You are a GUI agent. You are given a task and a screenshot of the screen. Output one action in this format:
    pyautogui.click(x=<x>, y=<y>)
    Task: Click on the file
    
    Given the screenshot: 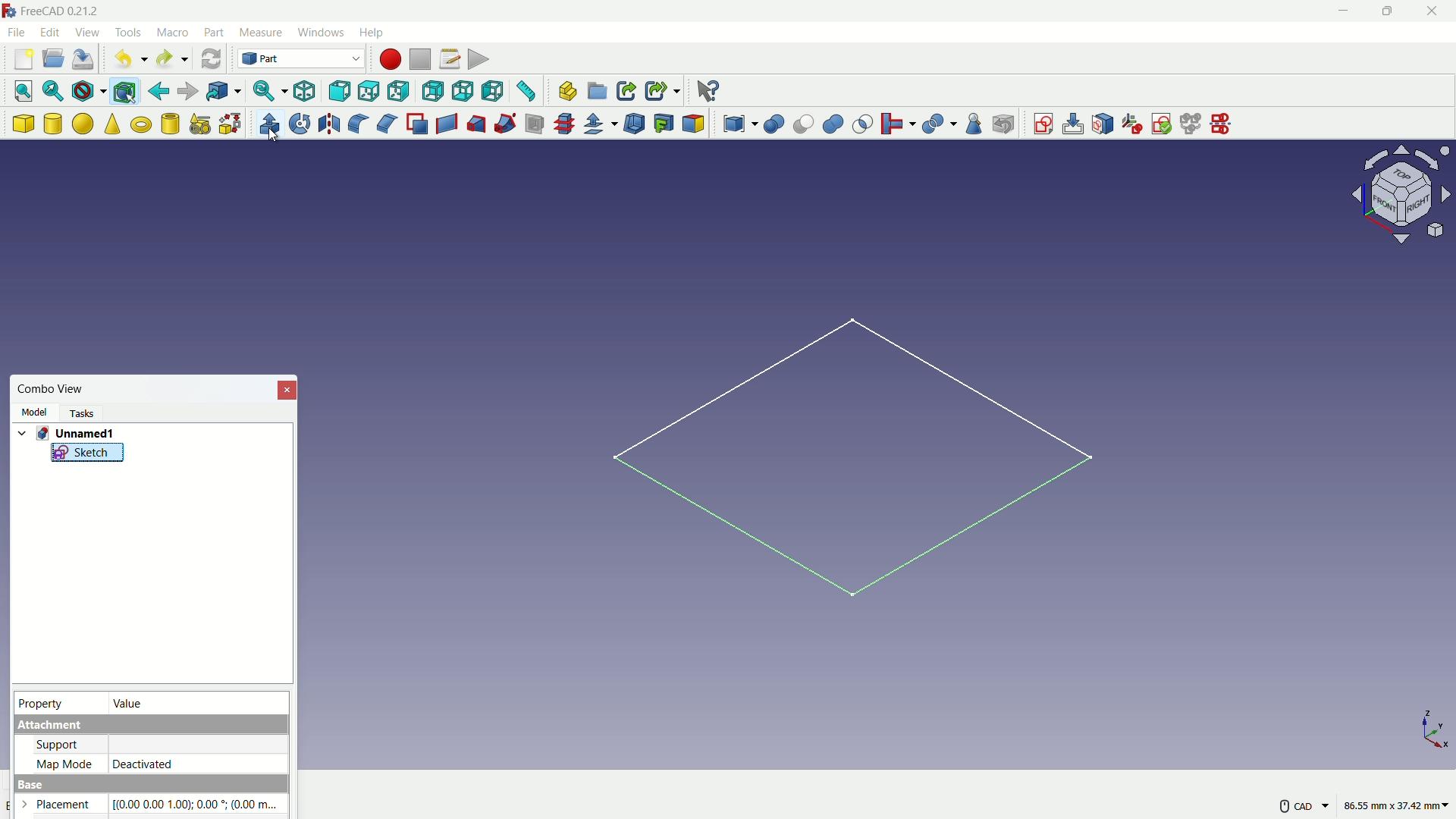 What is the action you would take?
    pyautogui.click(x=17, y=33)
    